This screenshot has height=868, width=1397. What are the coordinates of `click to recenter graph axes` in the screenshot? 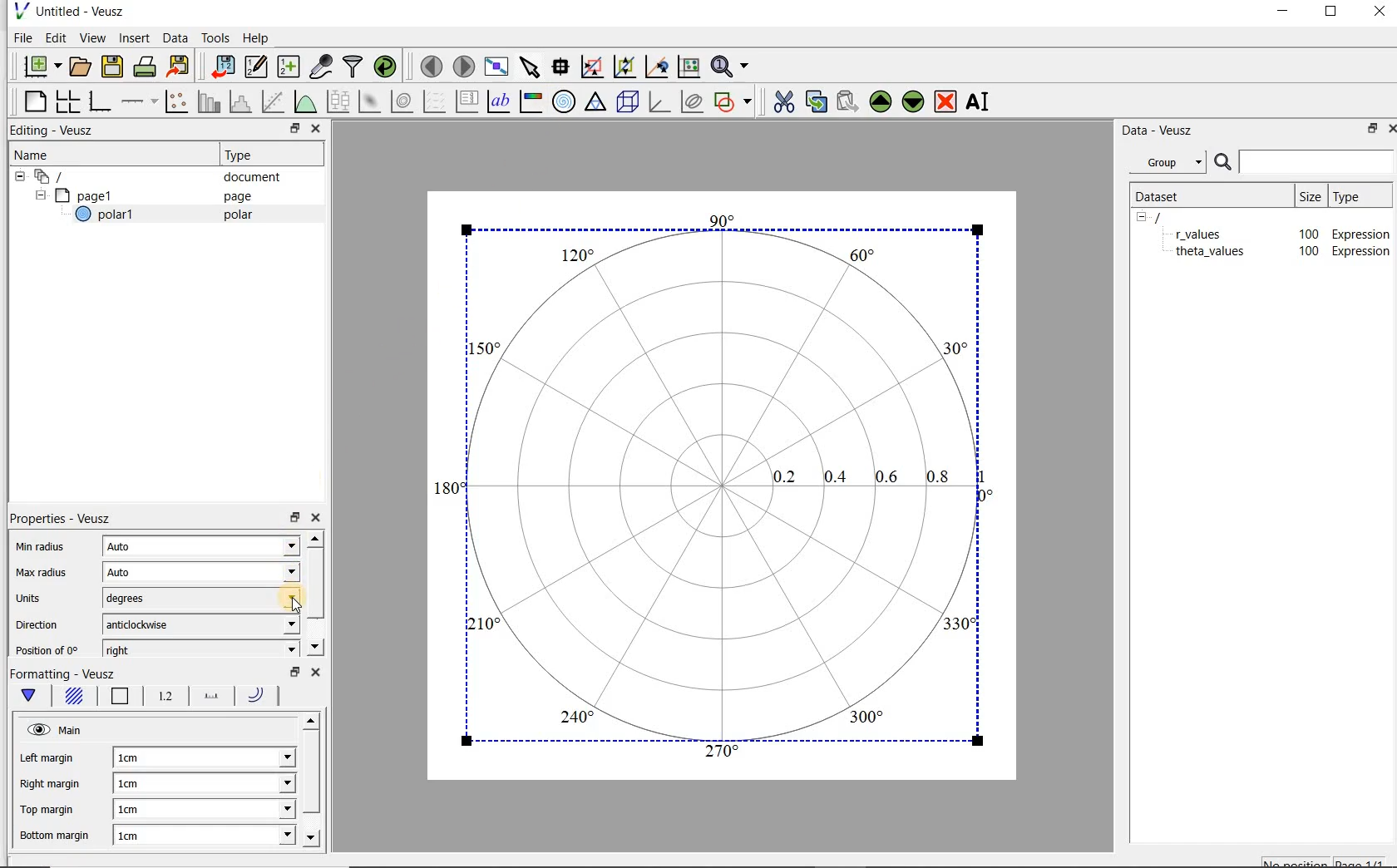 It's located at (658, 67).